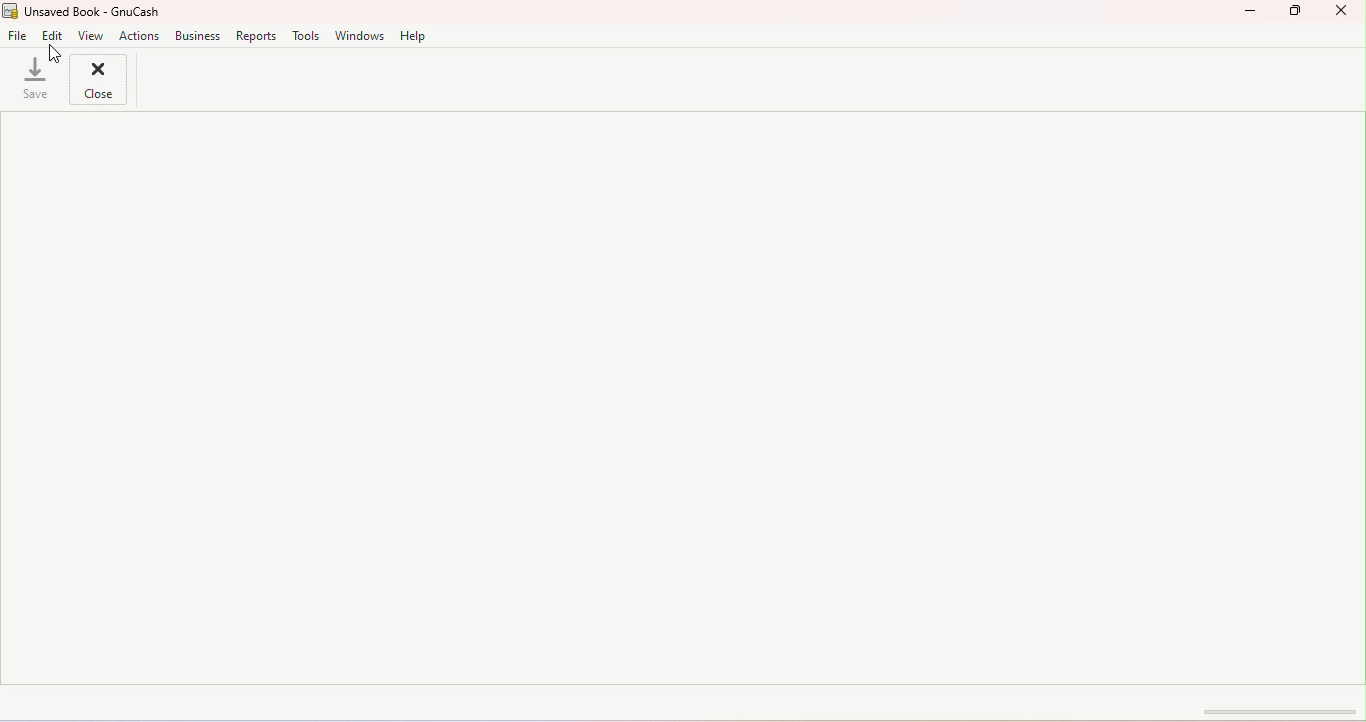 The image size is (1366, 722). Describe the element at coordinates (416, 36) in the screenshot. I see `Help` at that location.